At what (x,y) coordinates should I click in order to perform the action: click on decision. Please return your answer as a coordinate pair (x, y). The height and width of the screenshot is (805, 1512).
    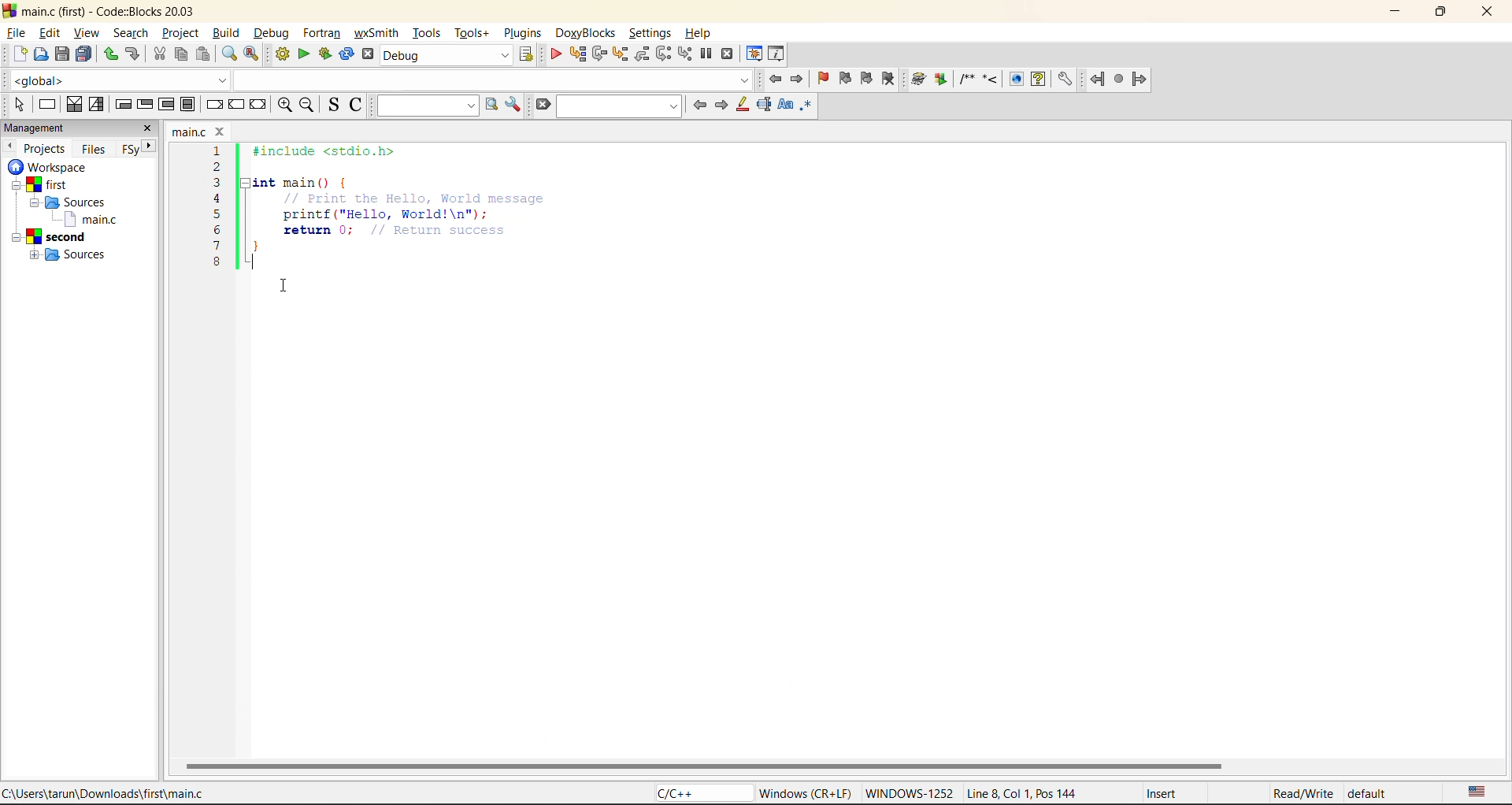
    Looking at the image, I should click on (72, 106).